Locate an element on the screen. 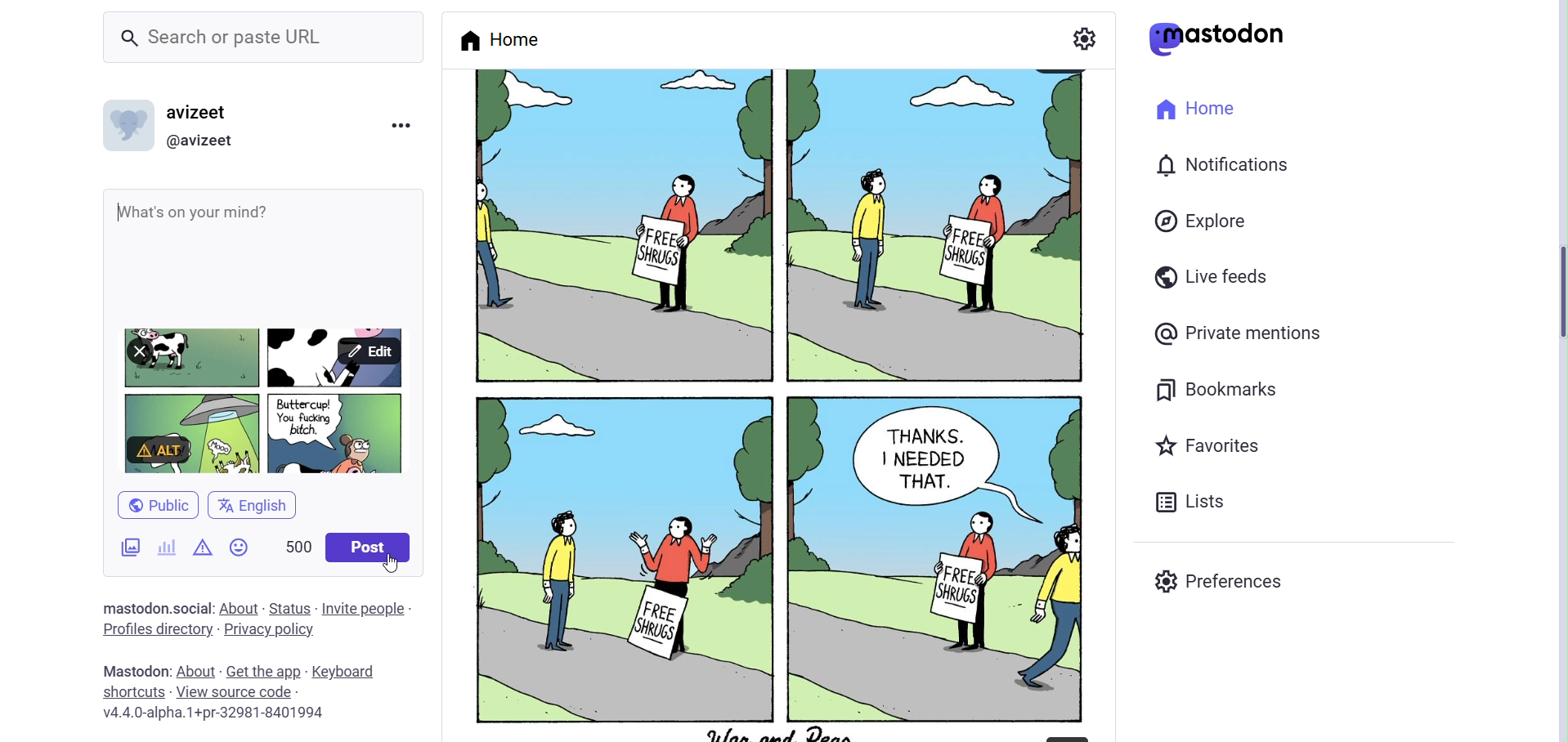  Emojis is located at coordinates (243, 552).